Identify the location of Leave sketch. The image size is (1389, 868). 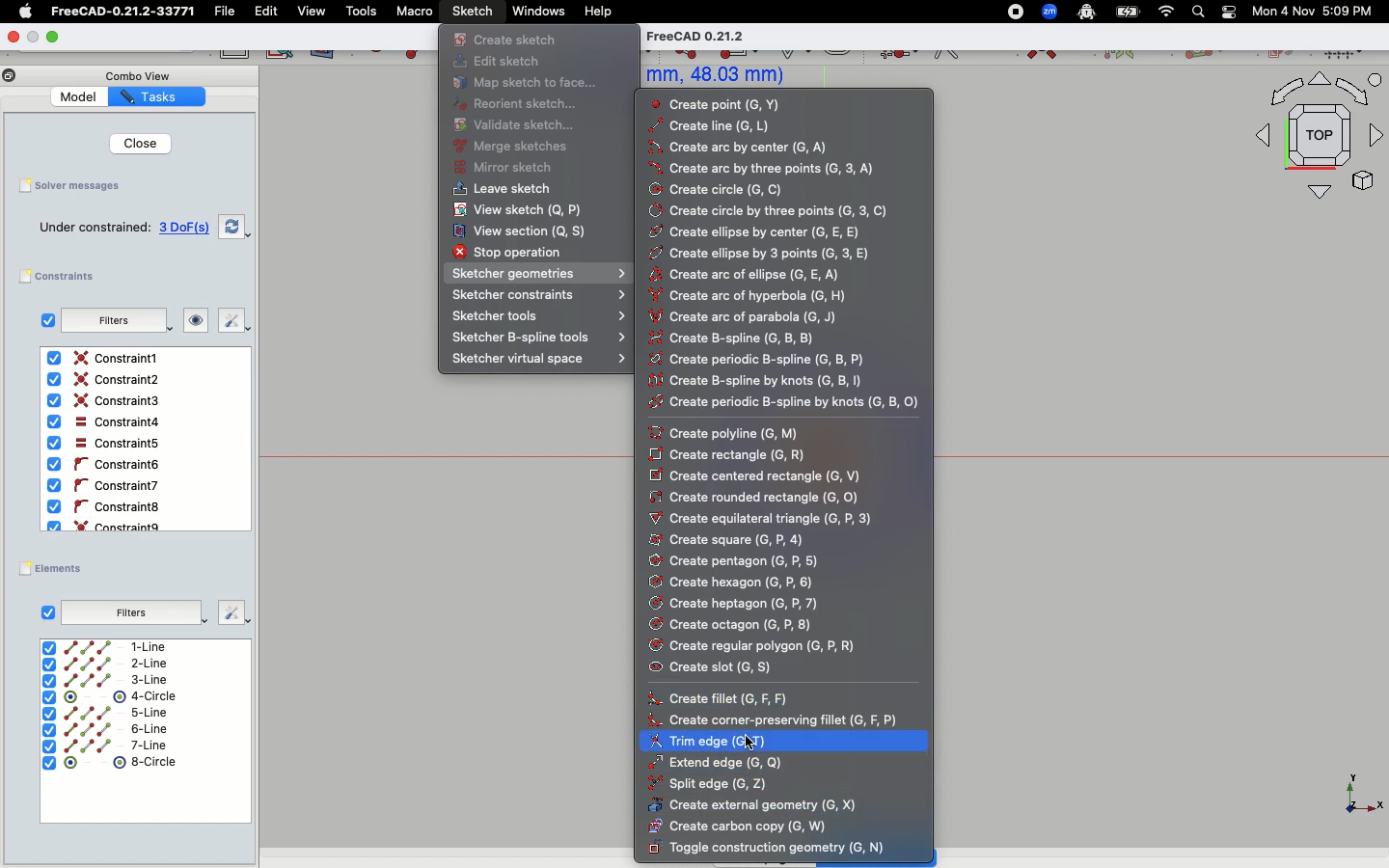
(522, 190).